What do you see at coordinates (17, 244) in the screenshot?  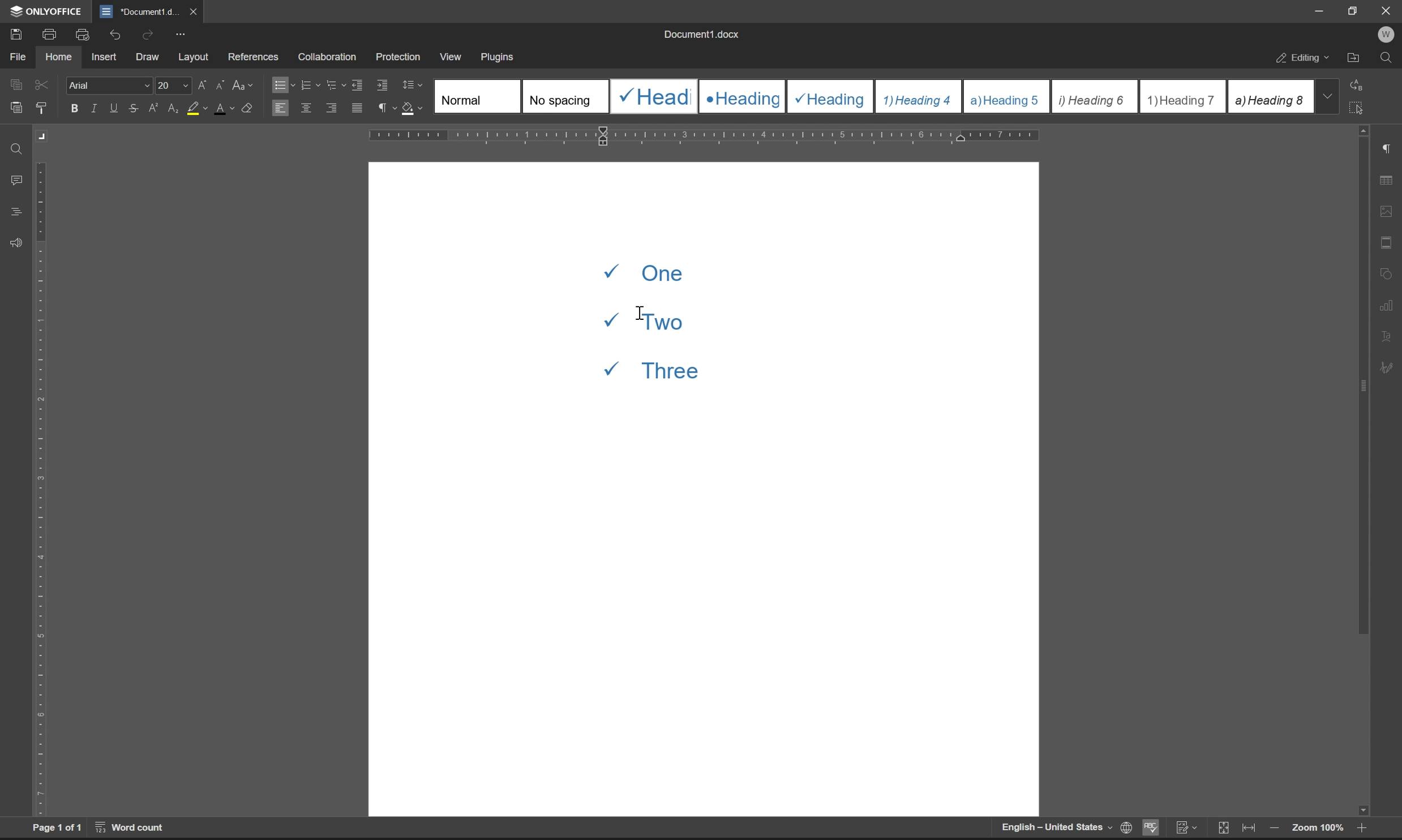 I see `feedback & support` at bounding box center [17, 244].